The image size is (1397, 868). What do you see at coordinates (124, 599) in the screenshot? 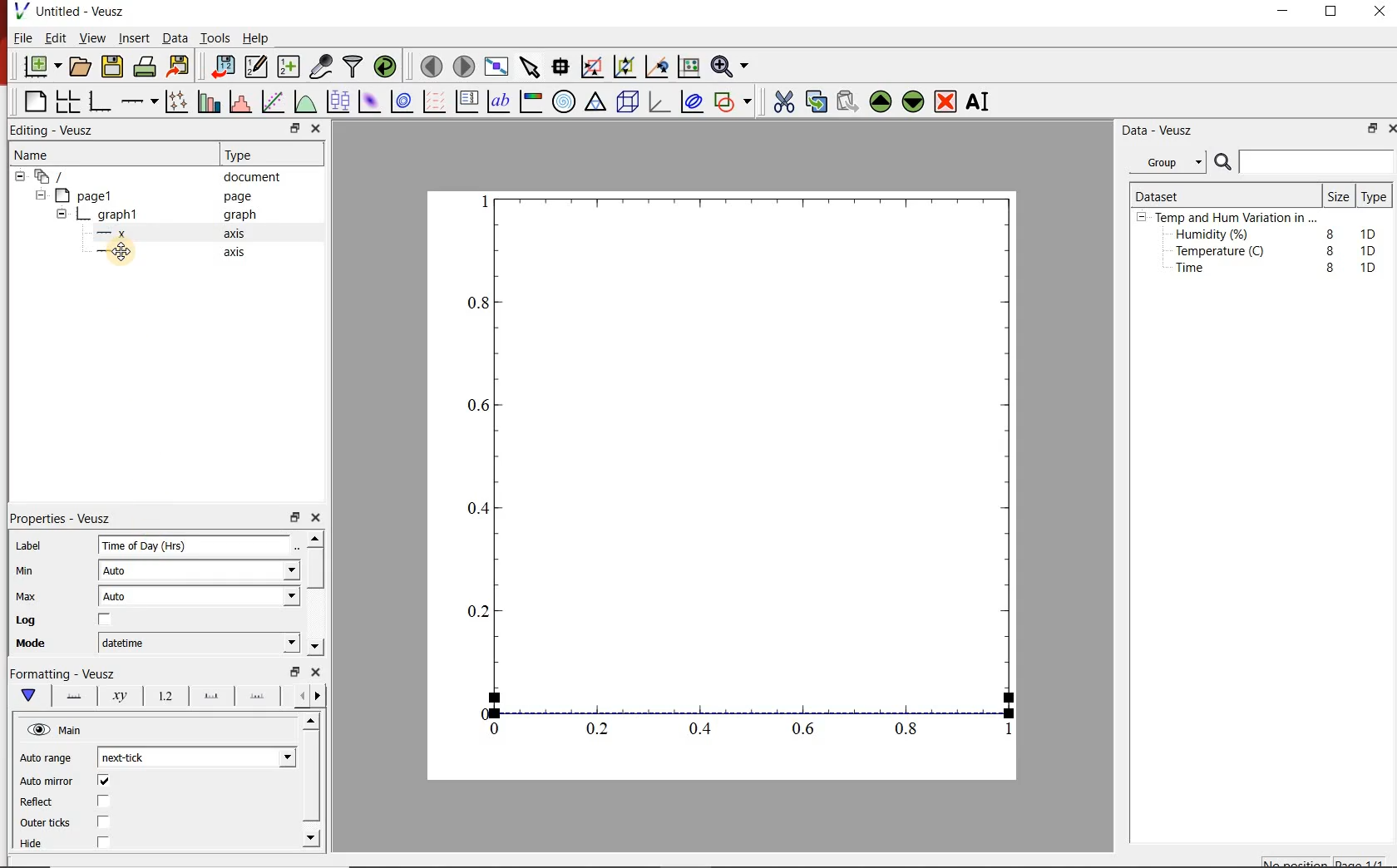
I see `Auto` at bounding box center [124, 599].